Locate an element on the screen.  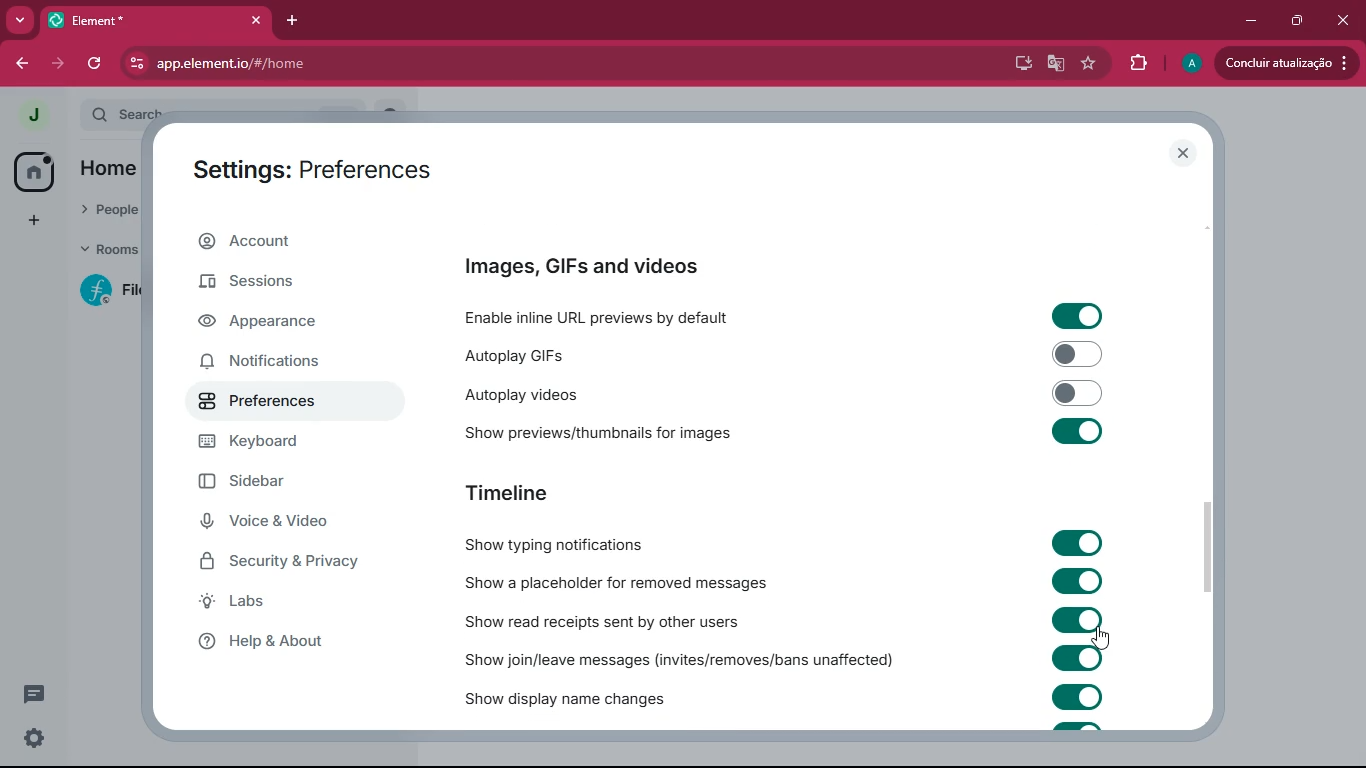
updates is located at coordinates (1285, 64).